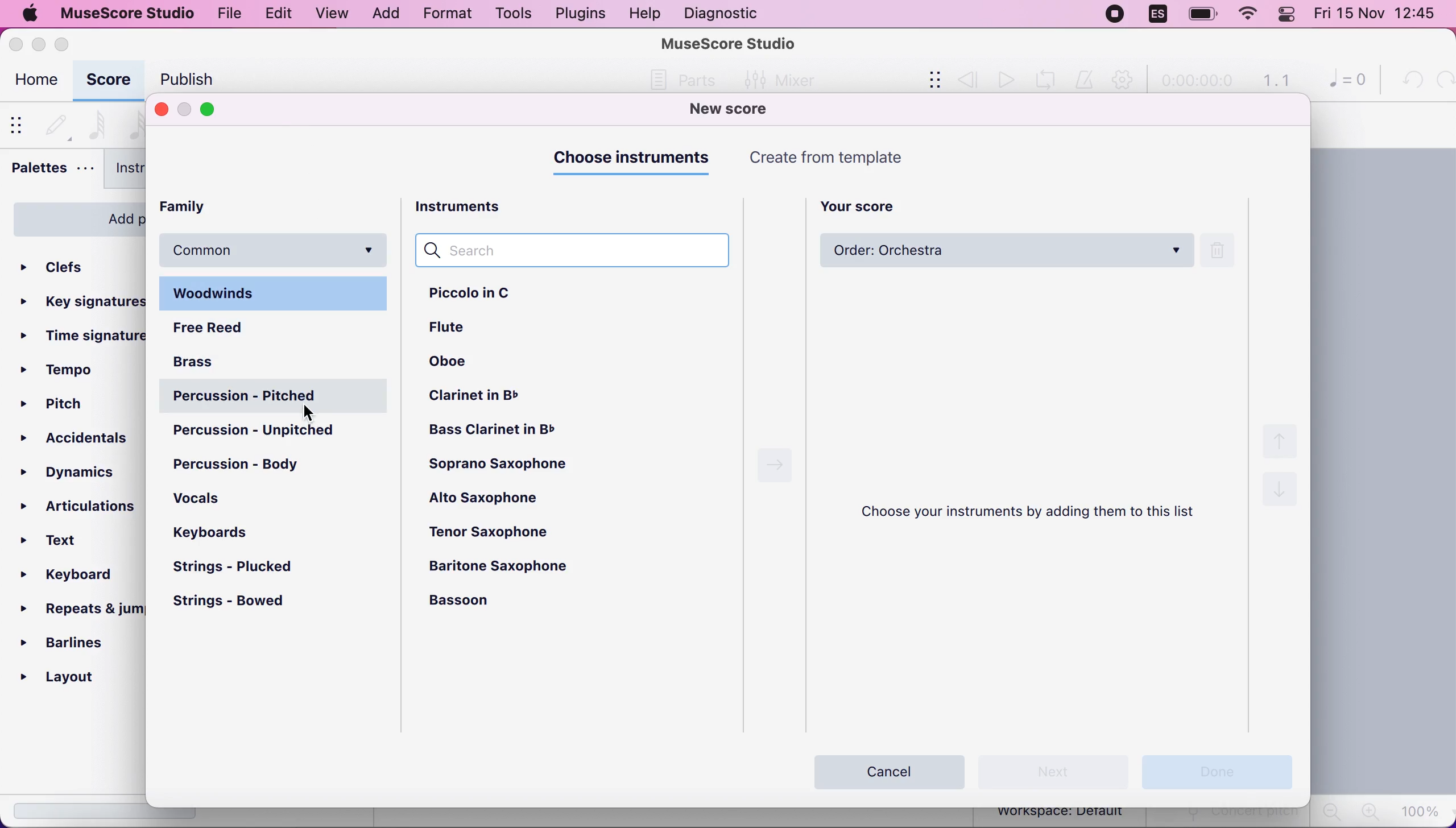 The width and height of the screenshot is (1456, 828). Describe the element at coordinates (1004, 251) in the screenshot. I see `order: orchestra` at that location.